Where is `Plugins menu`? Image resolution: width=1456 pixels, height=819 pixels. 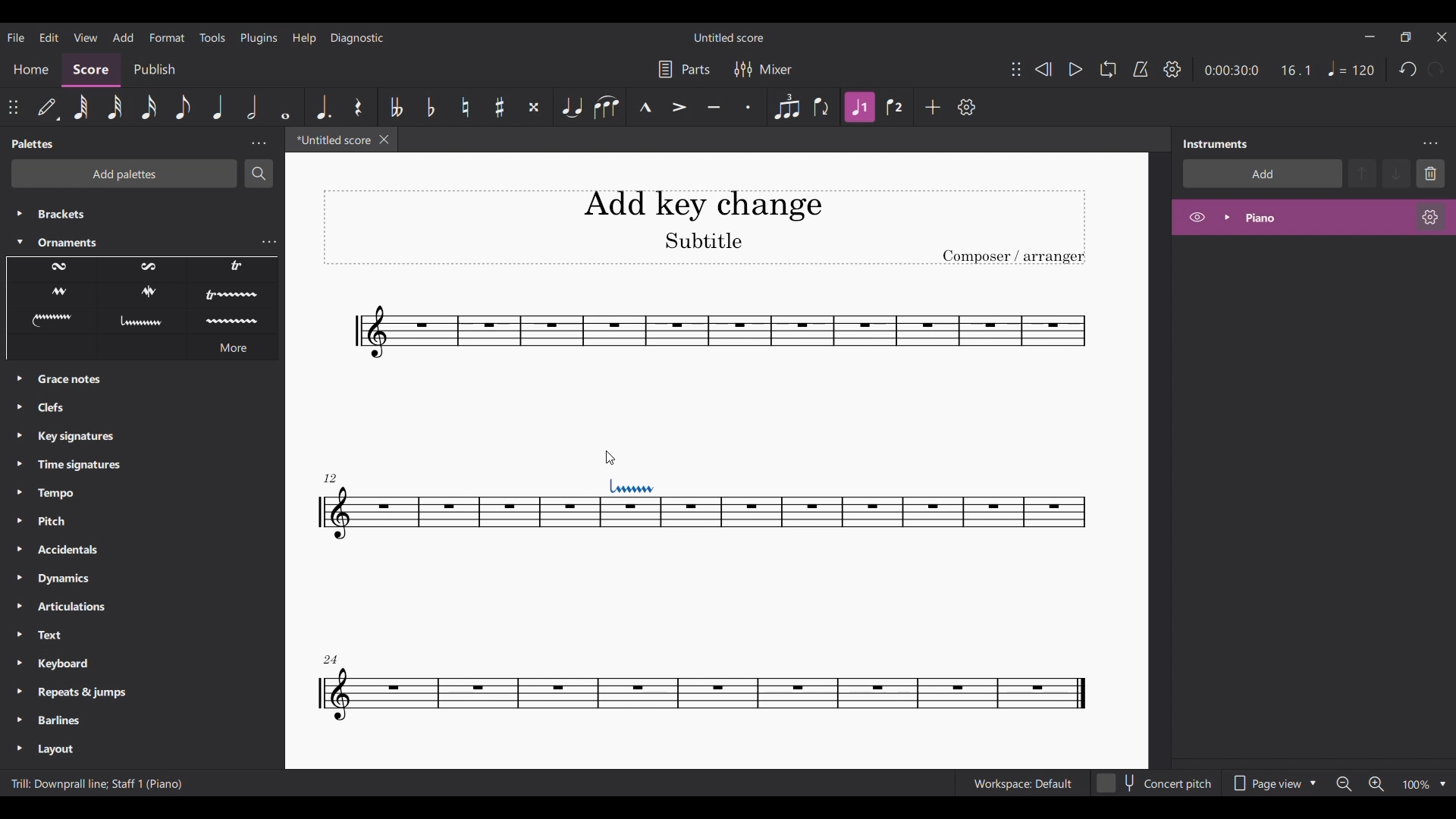
Plugins menu is located at coordinates (259, 37).